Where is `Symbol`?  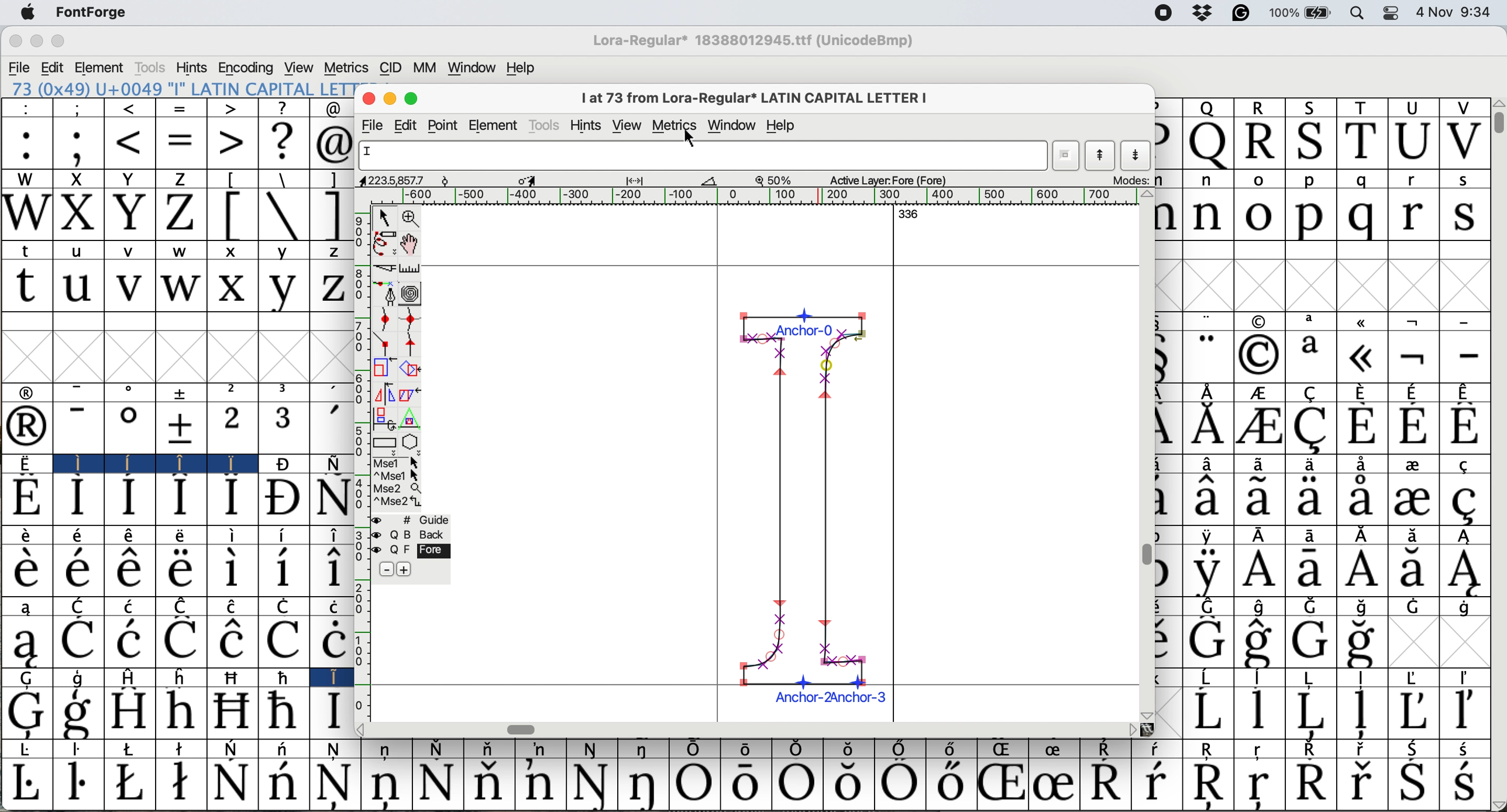 Symbol is located at coordinates (1314, 607).